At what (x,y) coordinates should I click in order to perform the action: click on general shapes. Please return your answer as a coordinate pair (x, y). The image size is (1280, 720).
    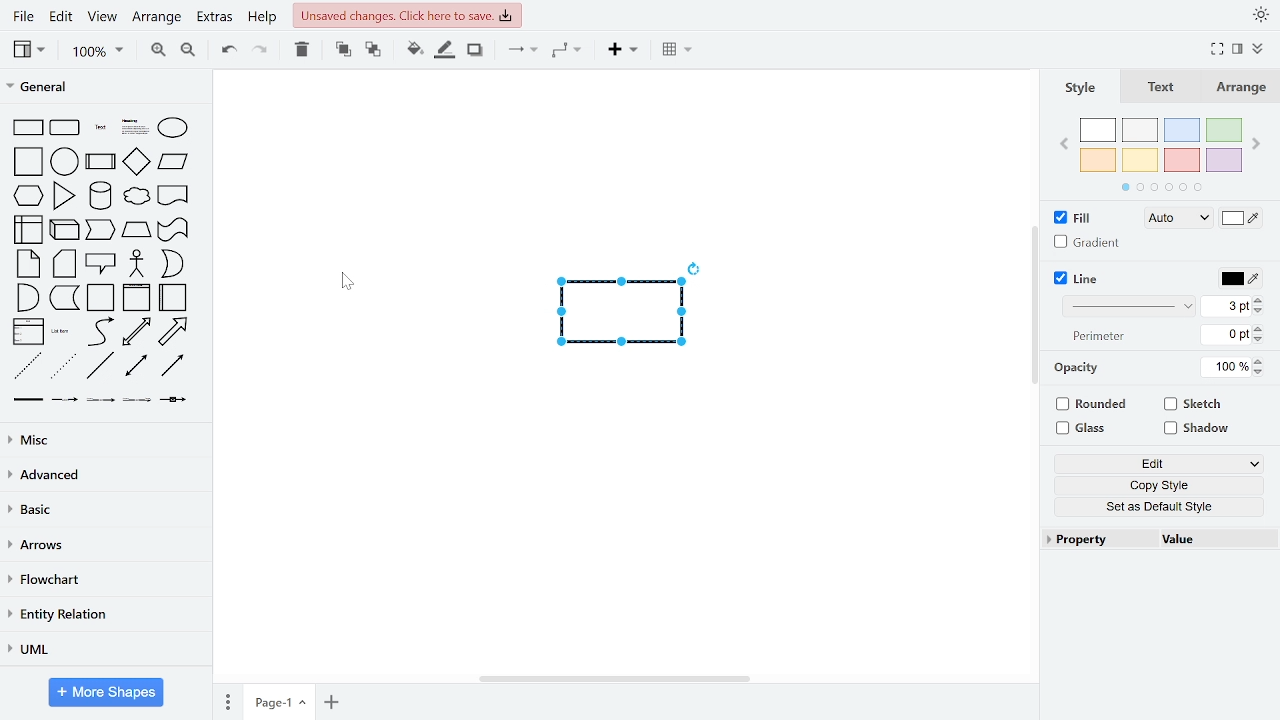
    Looking at the image, I should click on (63, 331).